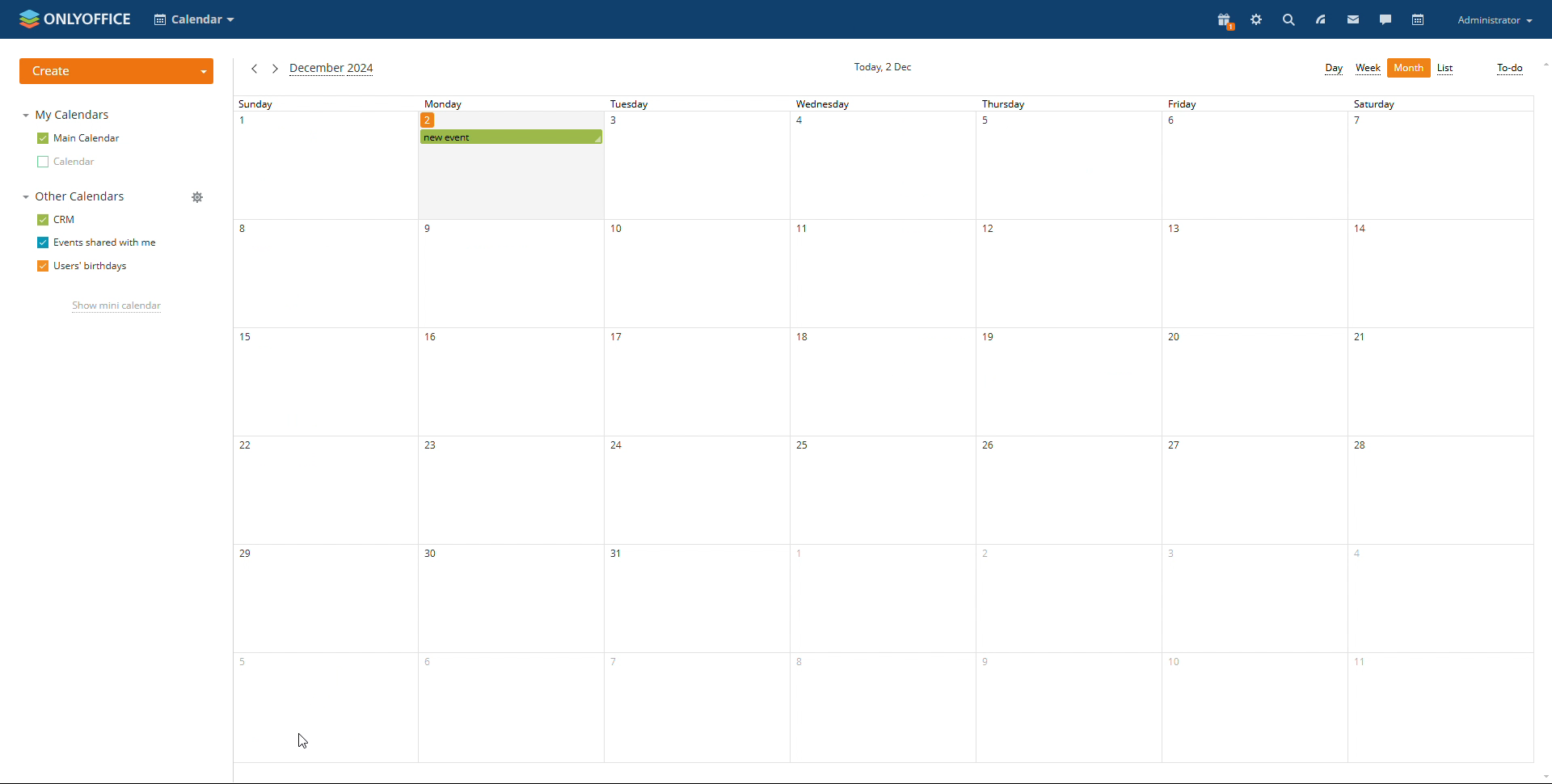 The height and width of the screenshot is (784, 1552). Describe the element at coordinates (881, 66) in the screenshot. I see `current date` at that location.